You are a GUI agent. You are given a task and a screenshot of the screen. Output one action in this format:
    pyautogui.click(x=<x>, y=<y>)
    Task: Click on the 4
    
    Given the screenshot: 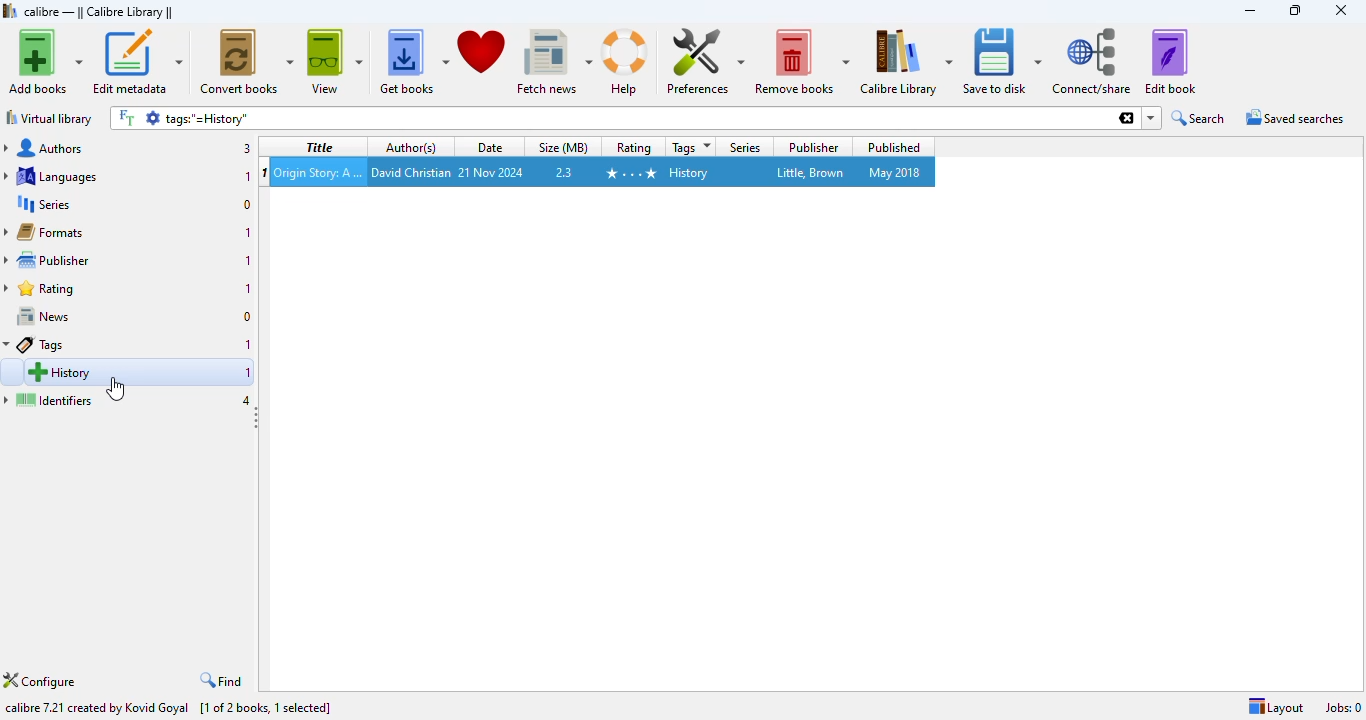 What is the action you would take?
    pyautogui.click(x=246, y=399)
    